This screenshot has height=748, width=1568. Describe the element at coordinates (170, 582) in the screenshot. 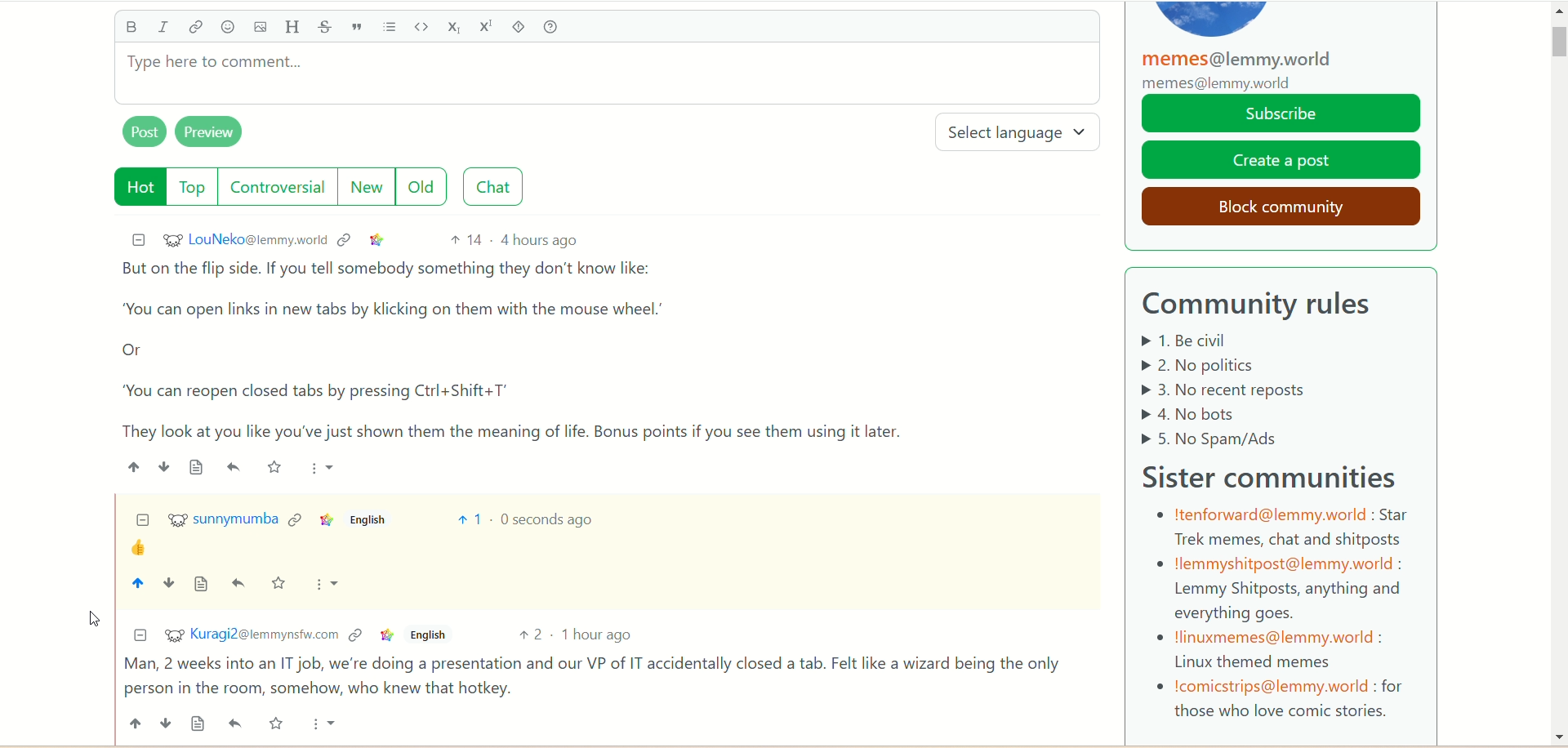

I see `down vote` at that location.